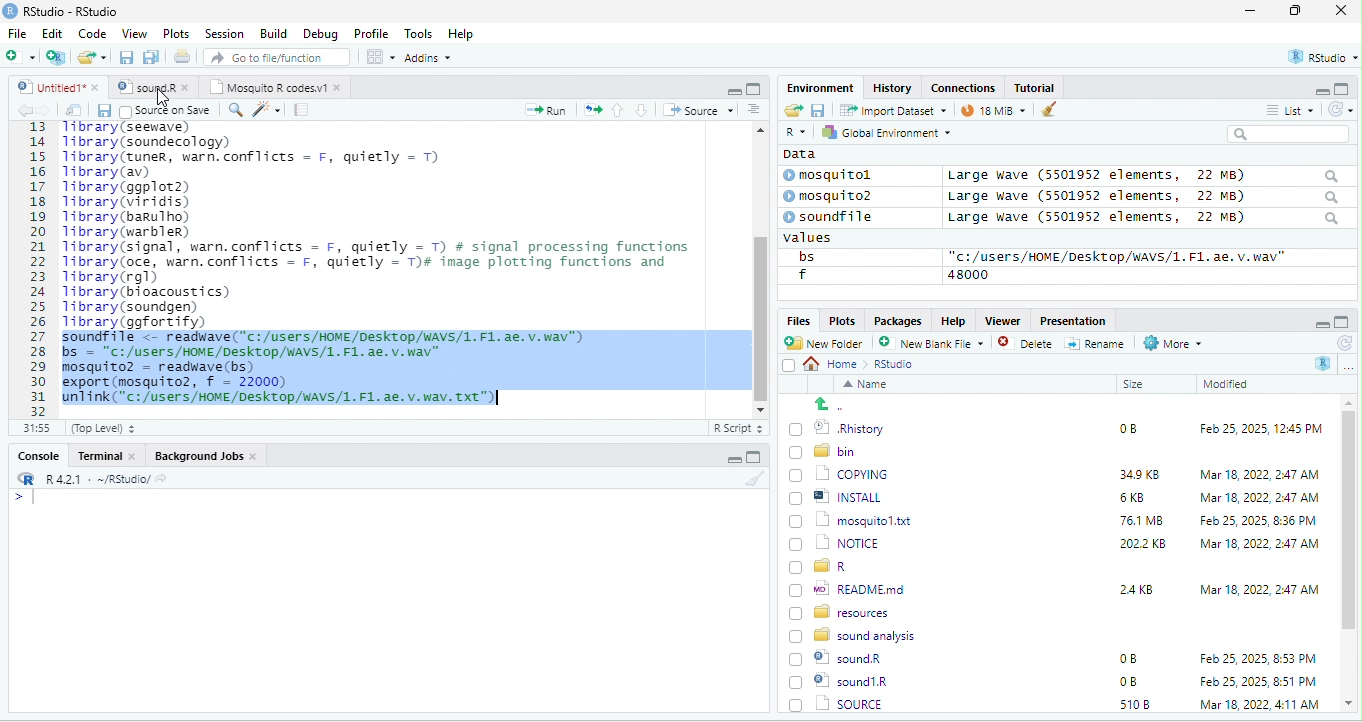  Describe the element at coordinates (839, 473) in the screenshot. I see `‘| COPYING` at that location.